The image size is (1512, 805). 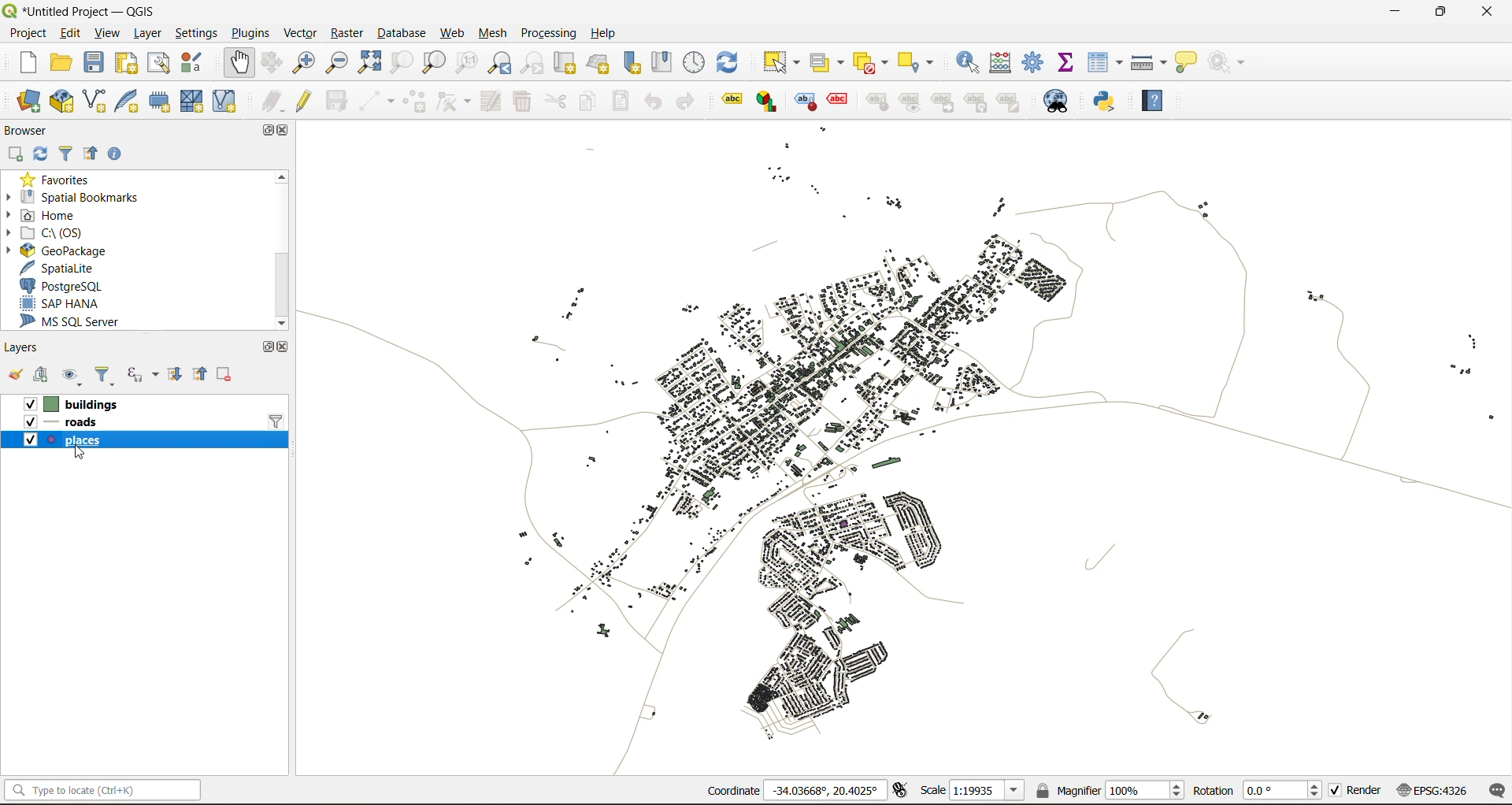 What do you see at coordinates (667, 61) in the screenshot?
I see `show spatial bookmark` at bounding box center [667, 61].